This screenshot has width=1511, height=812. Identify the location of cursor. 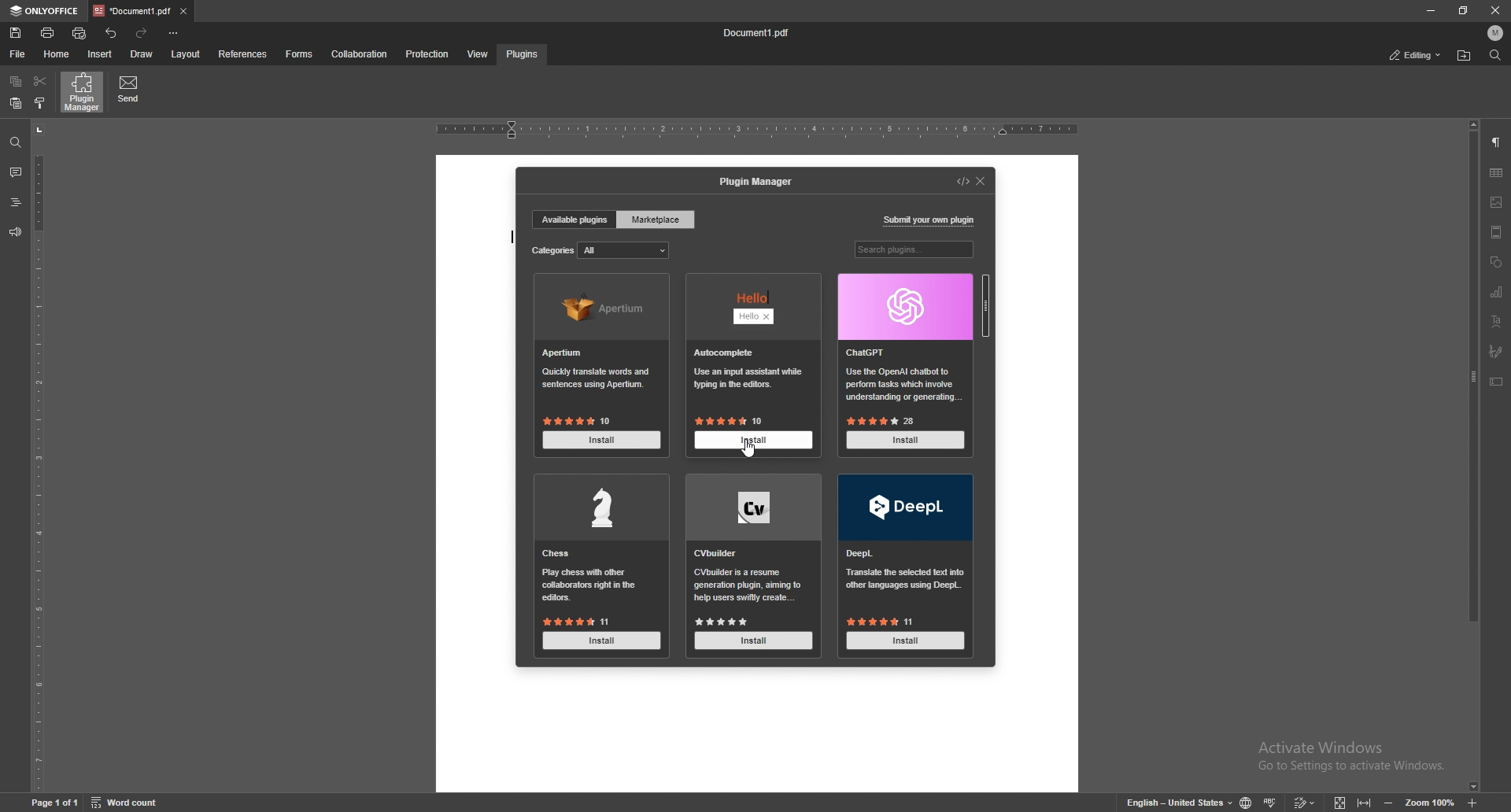
(752, 452).